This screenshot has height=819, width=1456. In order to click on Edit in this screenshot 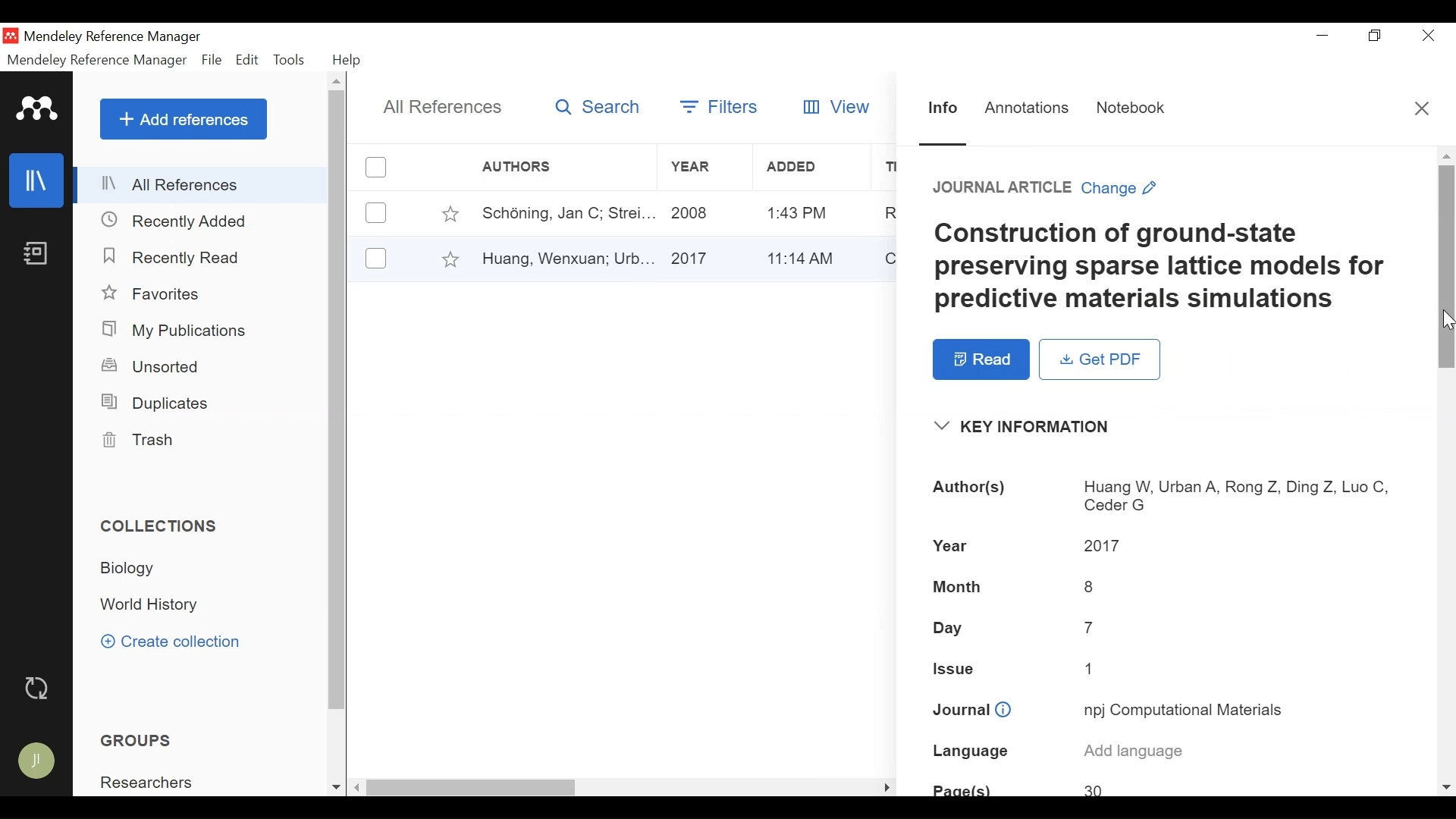, I will do `click(247, 60)`.